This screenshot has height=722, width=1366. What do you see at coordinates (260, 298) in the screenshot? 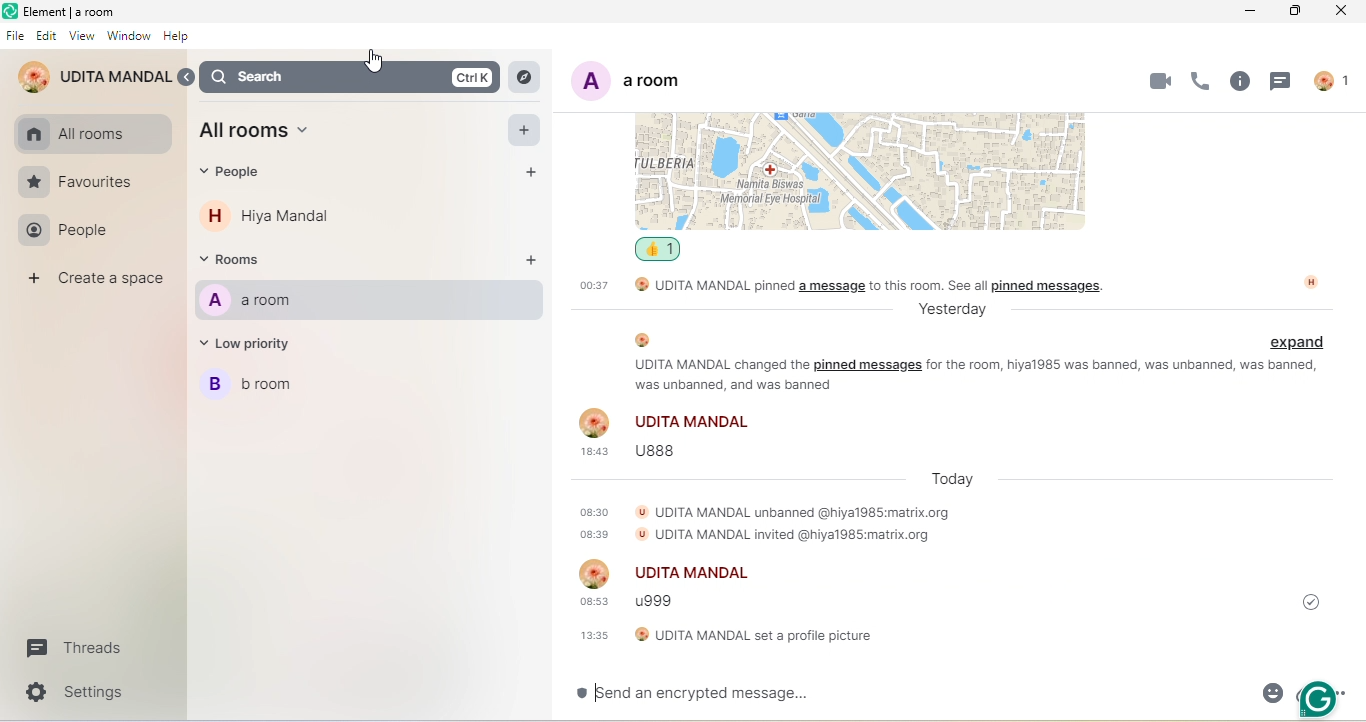
I see `A aroom` at bounding box center [260, 298].